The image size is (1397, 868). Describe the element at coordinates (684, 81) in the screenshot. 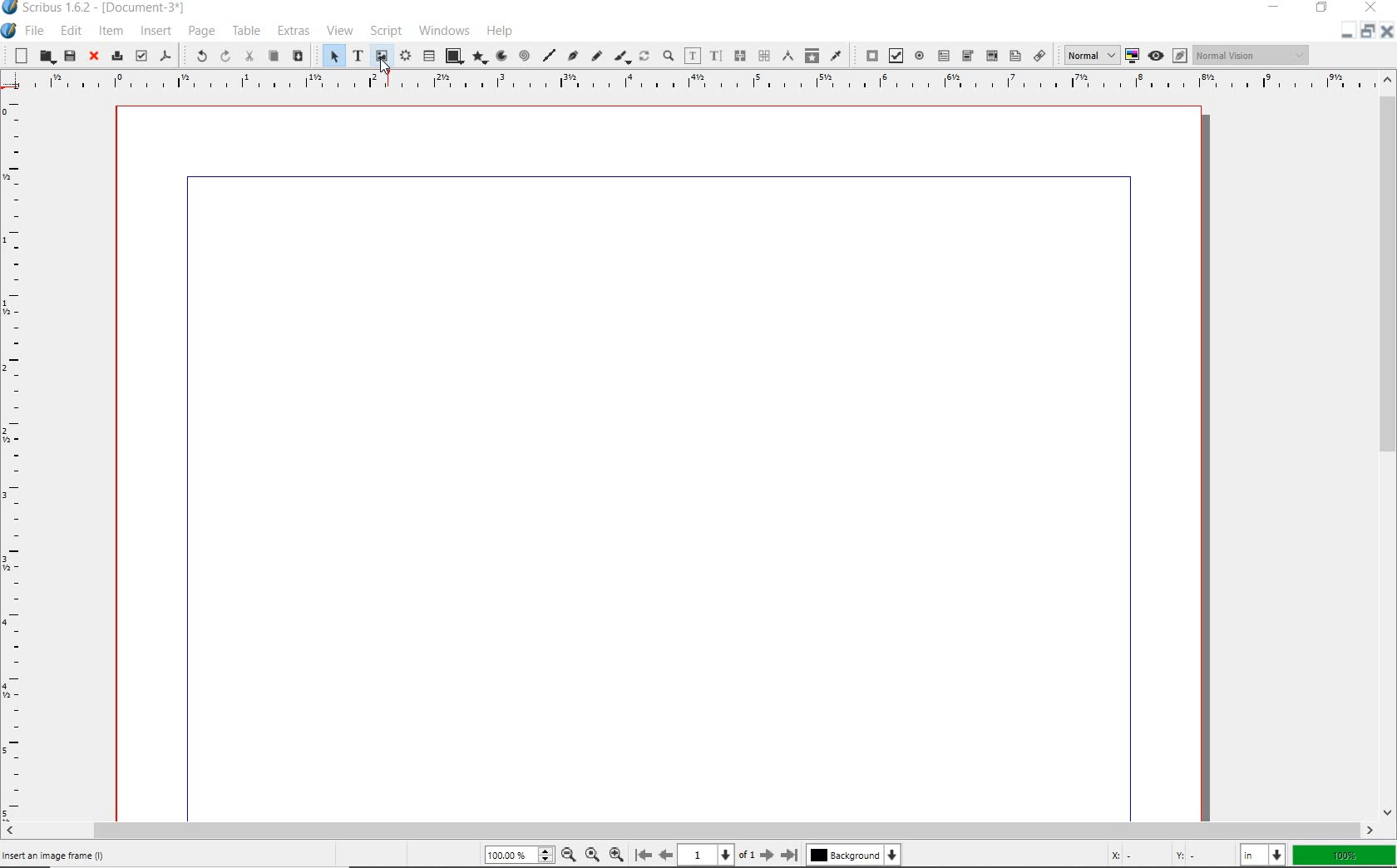

I see `RULER` at that location.